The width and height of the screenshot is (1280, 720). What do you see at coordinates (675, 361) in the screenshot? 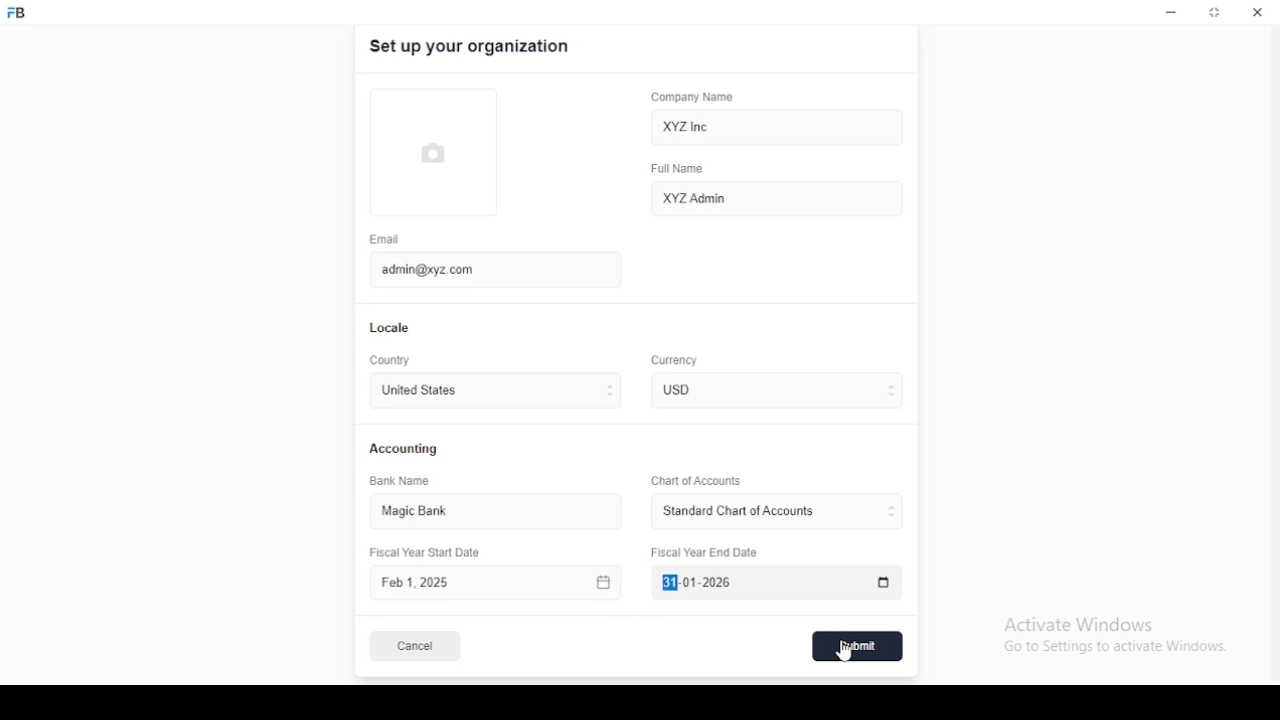
I see `Currency` at bounding box center [675, 361].